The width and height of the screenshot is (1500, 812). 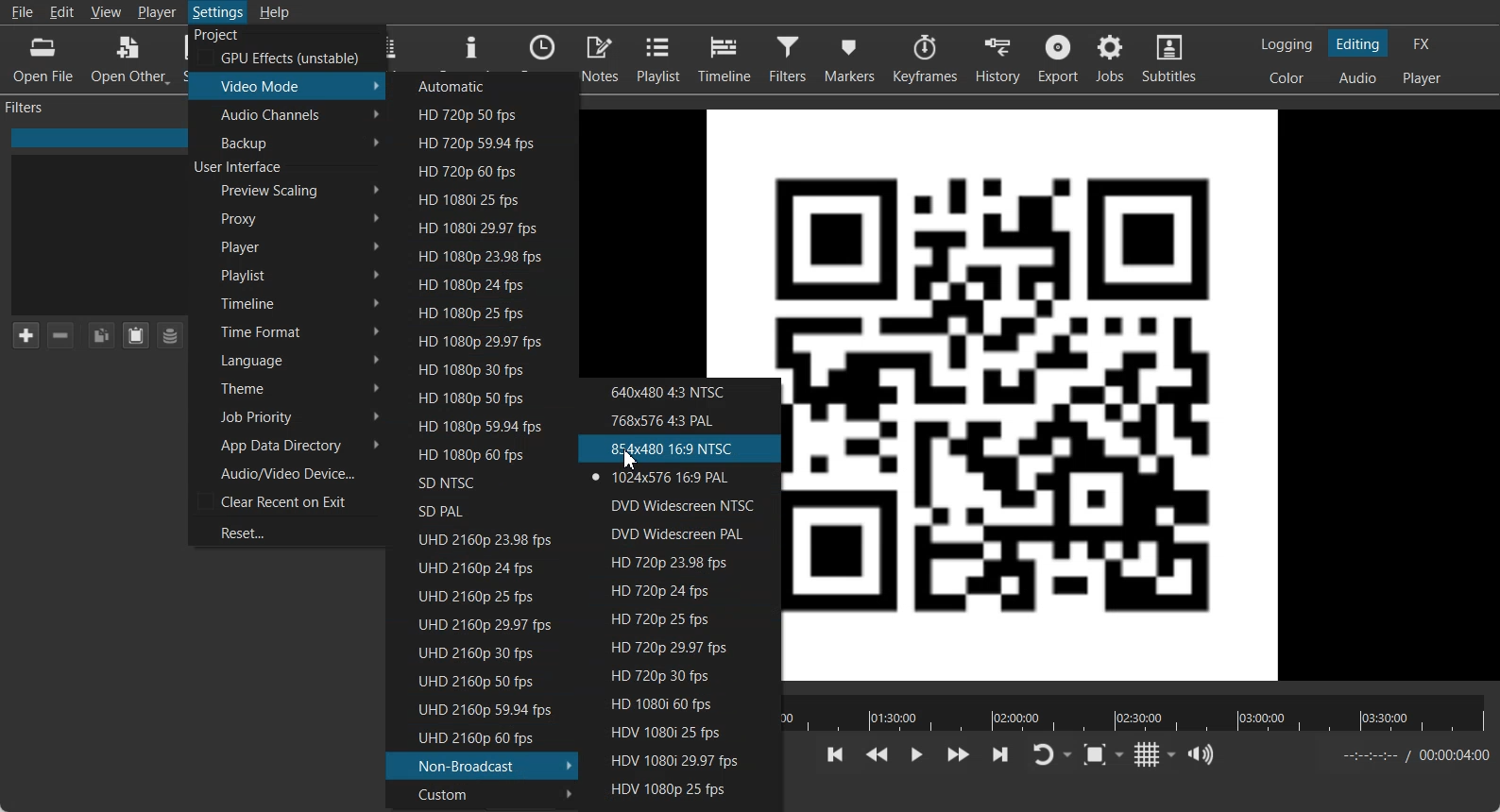 I want to click on UHD 2160p 24 fps, so click(x=476, y=567).